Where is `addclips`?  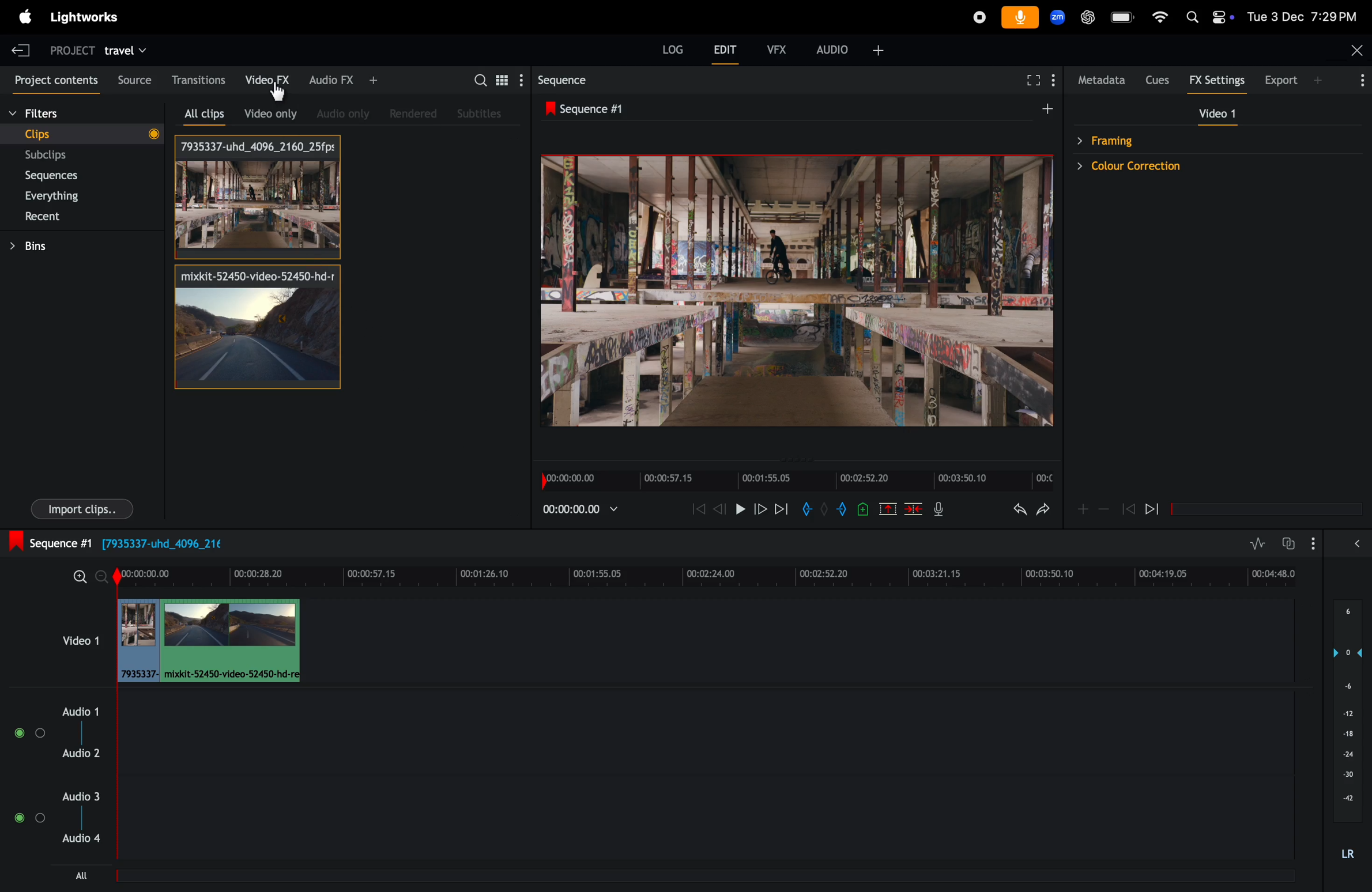
addclips is located at coordinates (207, 641).